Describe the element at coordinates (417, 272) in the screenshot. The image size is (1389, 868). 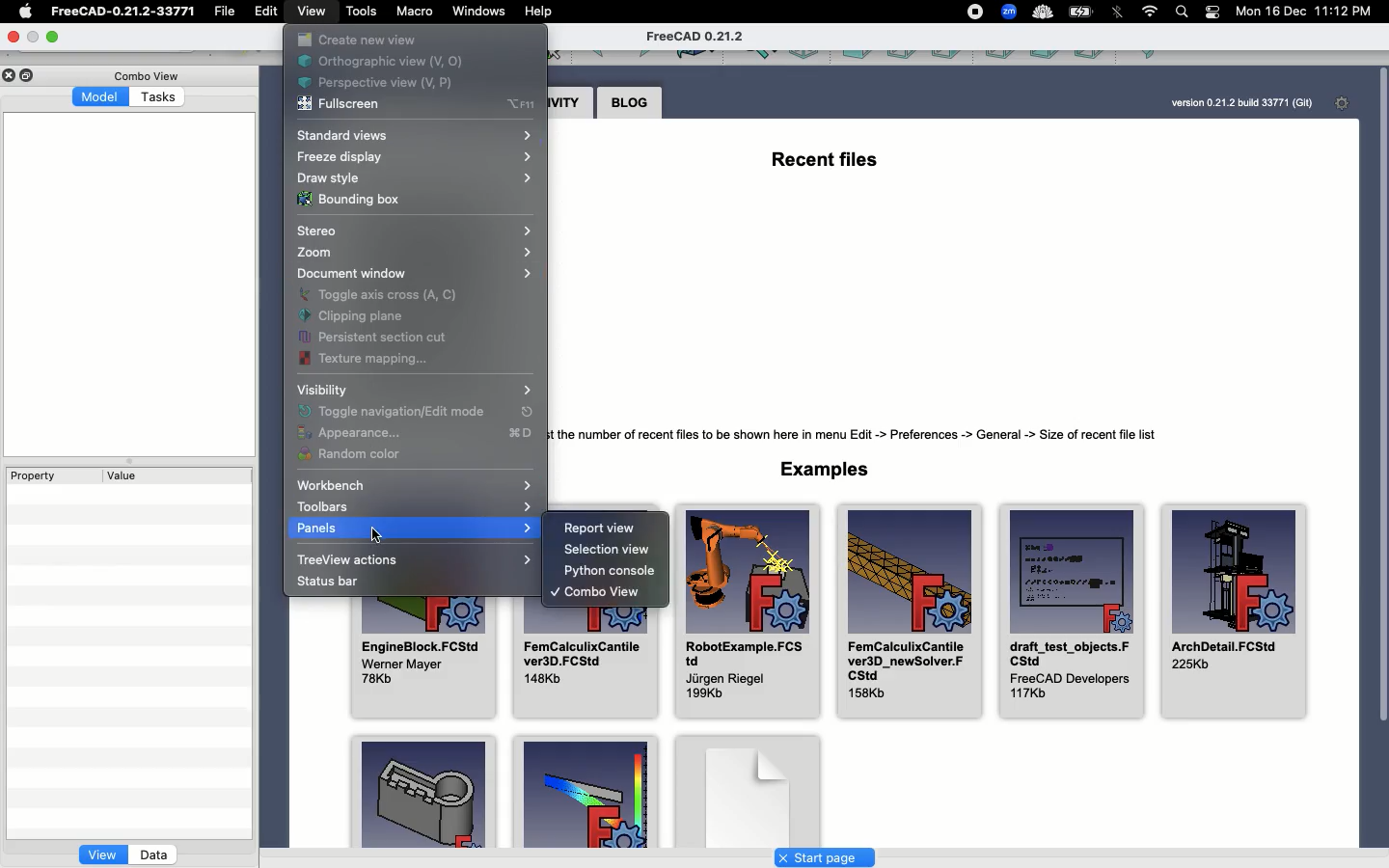
I see `Document window` at that location.